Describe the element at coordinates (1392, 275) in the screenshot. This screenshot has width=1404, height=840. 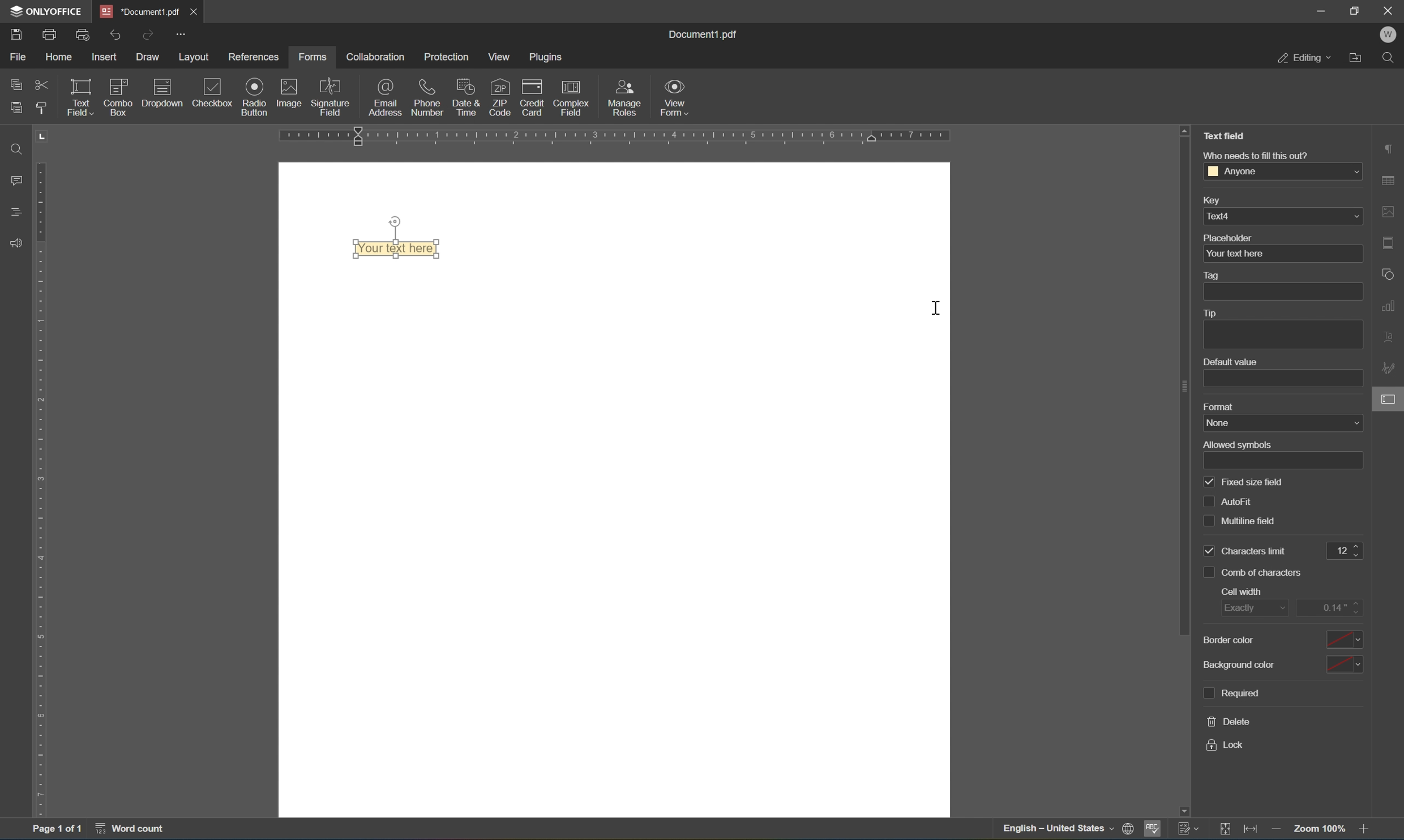
I see `shape settings` at that location.